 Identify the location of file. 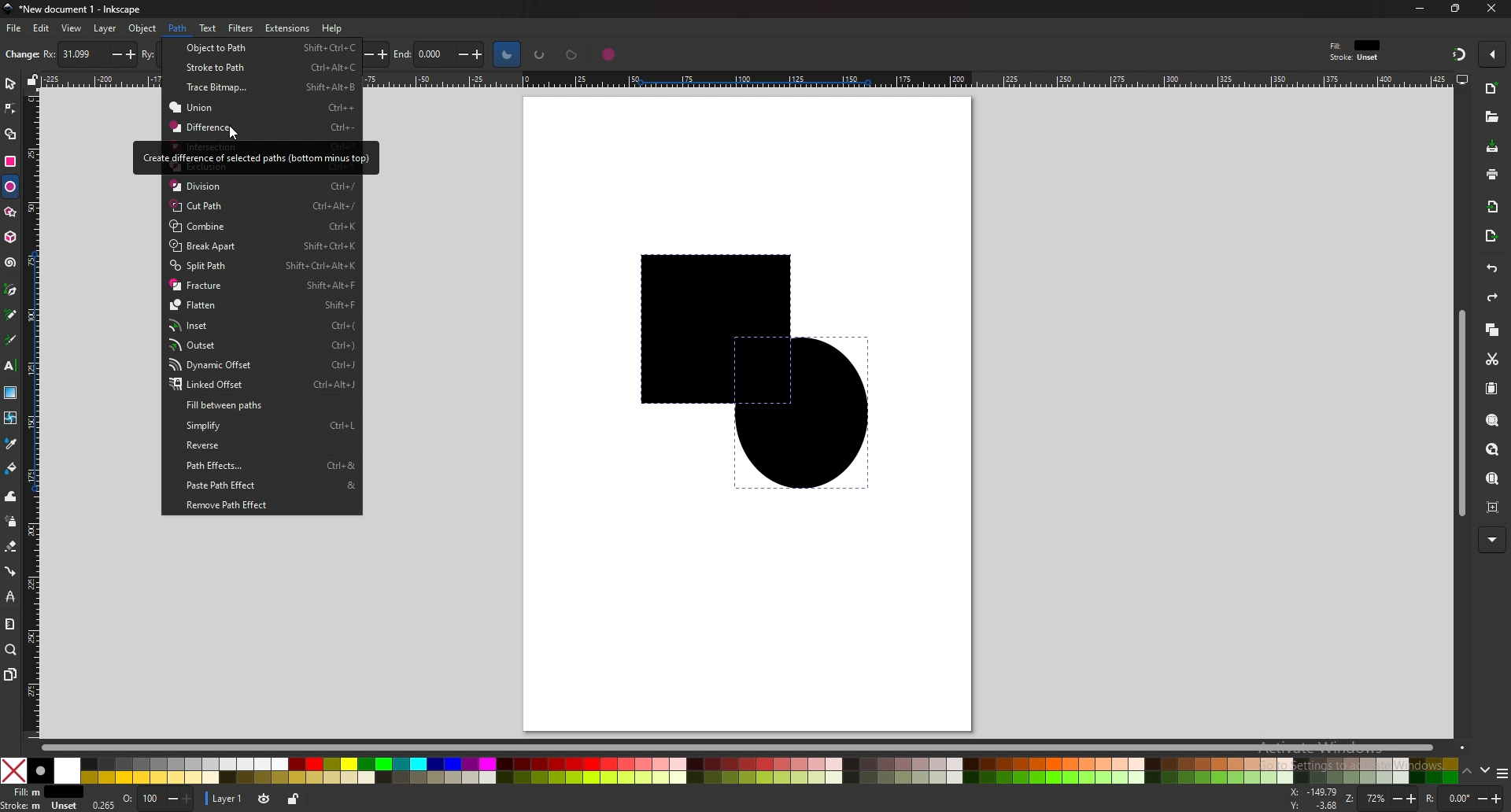
(15, 28).